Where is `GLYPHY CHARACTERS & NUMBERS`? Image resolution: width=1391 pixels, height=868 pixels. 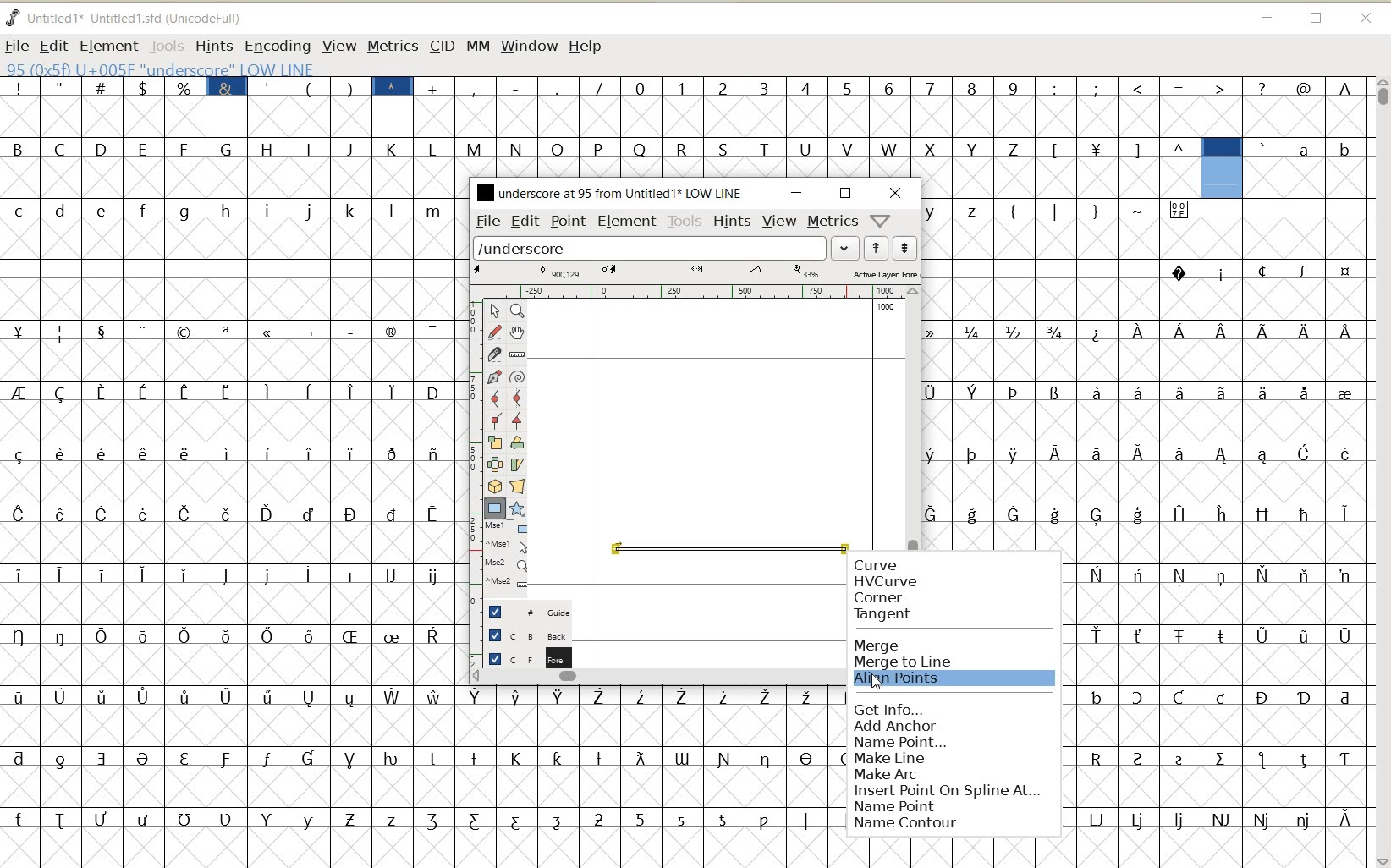 GLYPHY CHARACTERS & NUMBERS is located at coordinates (1128, 713).